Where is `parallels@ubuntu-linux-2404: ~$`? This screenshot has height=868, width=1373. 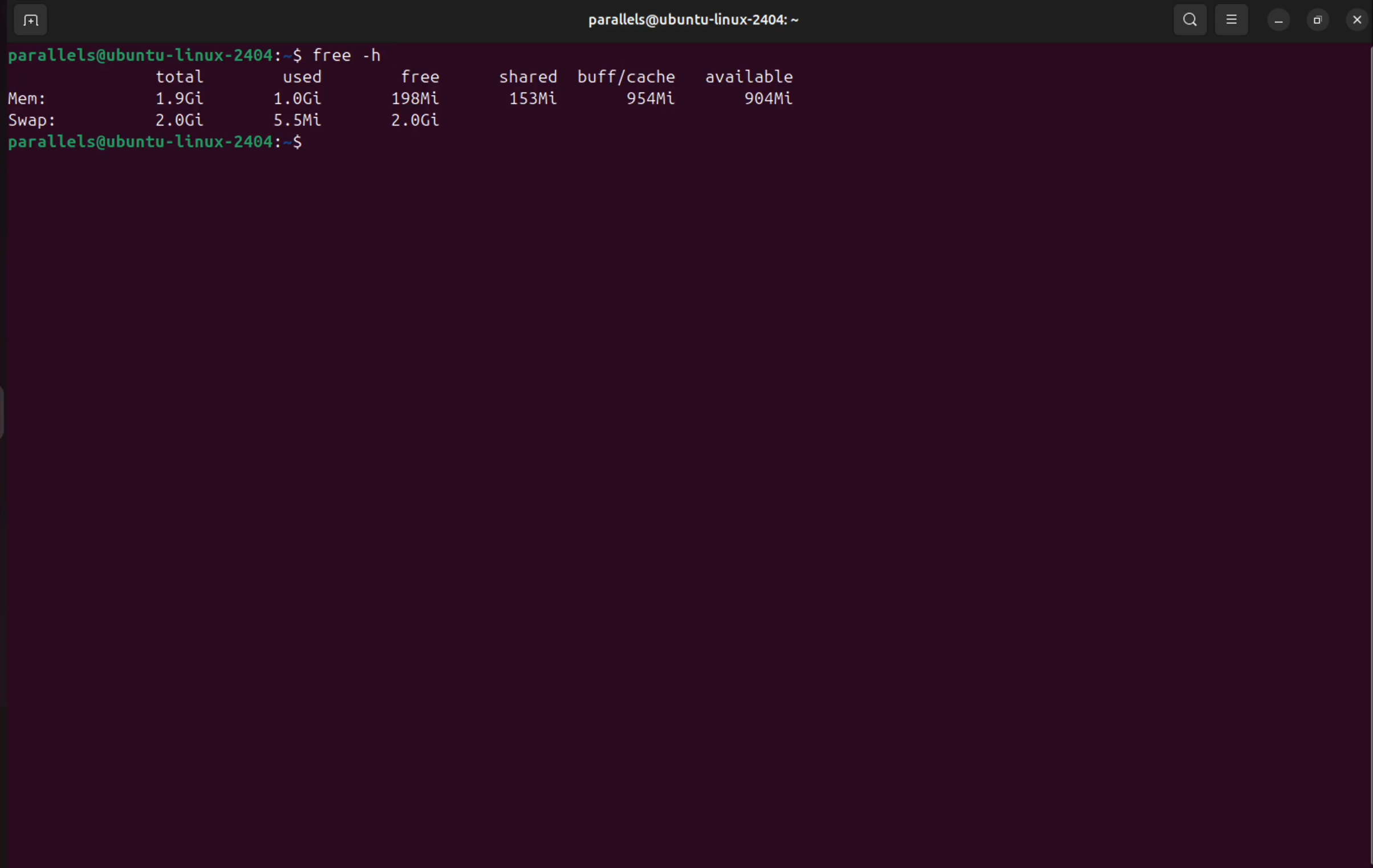
parallels@ubuntu-linux-2404: ~$ is located at coordinates (153, 144).